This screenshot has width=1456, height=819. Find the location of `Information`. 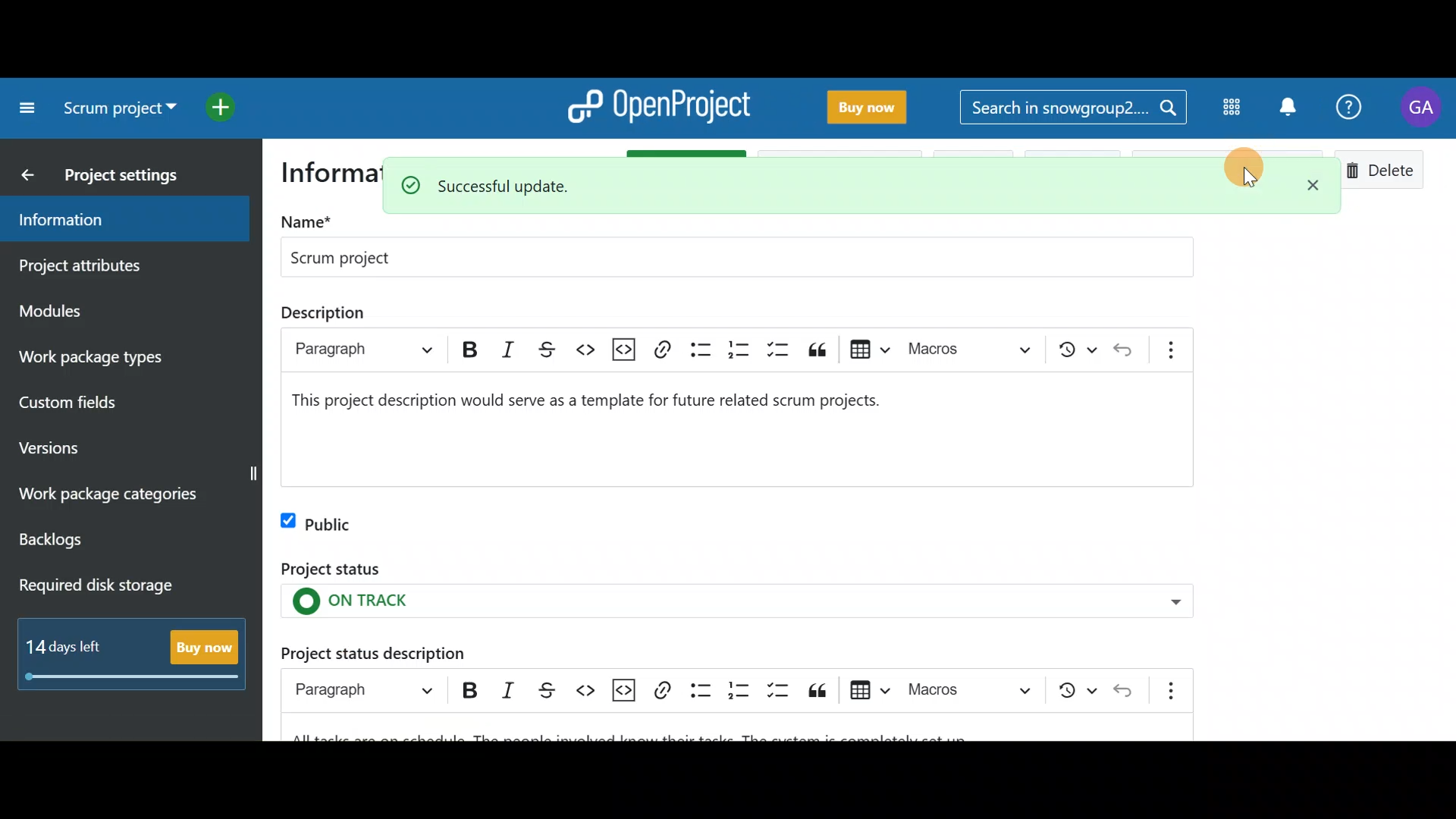

Information is located at coordinates (118, 219).